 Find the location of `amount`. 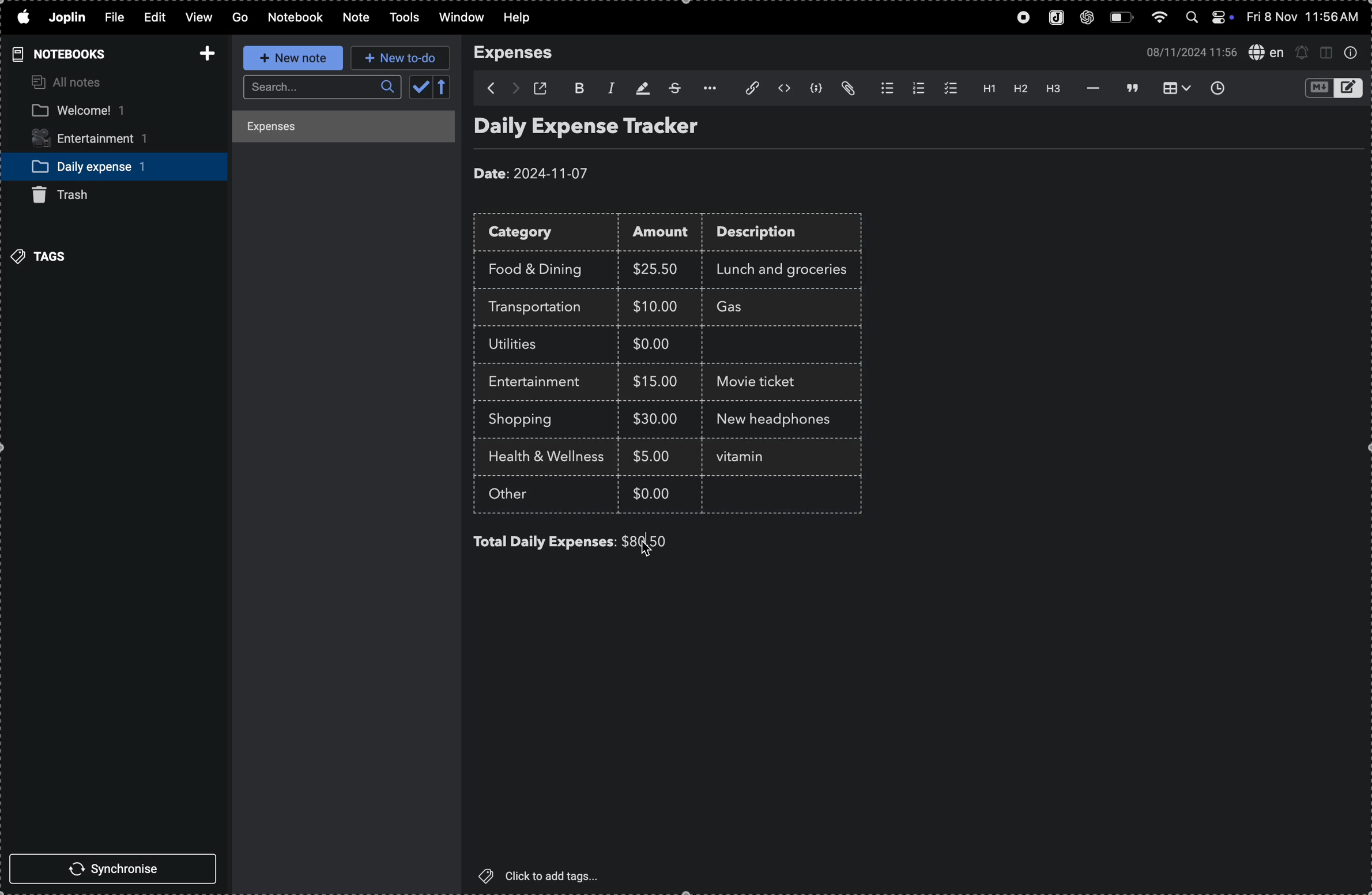

amount is located at coordinates (665, 234).